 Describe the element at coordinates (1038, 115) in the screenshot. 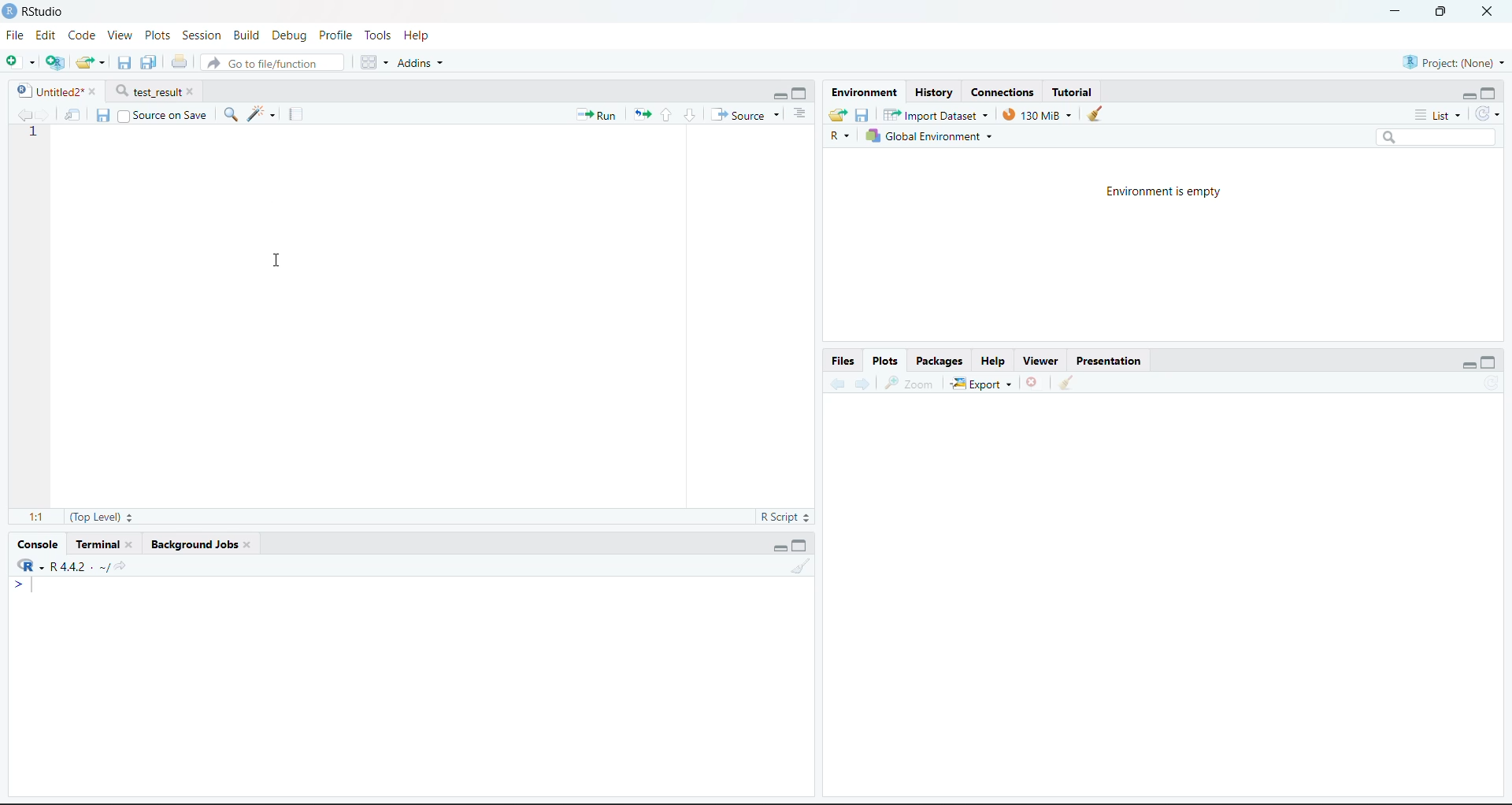

I see `130kib used by R session (Source: Windows System)` at that location.